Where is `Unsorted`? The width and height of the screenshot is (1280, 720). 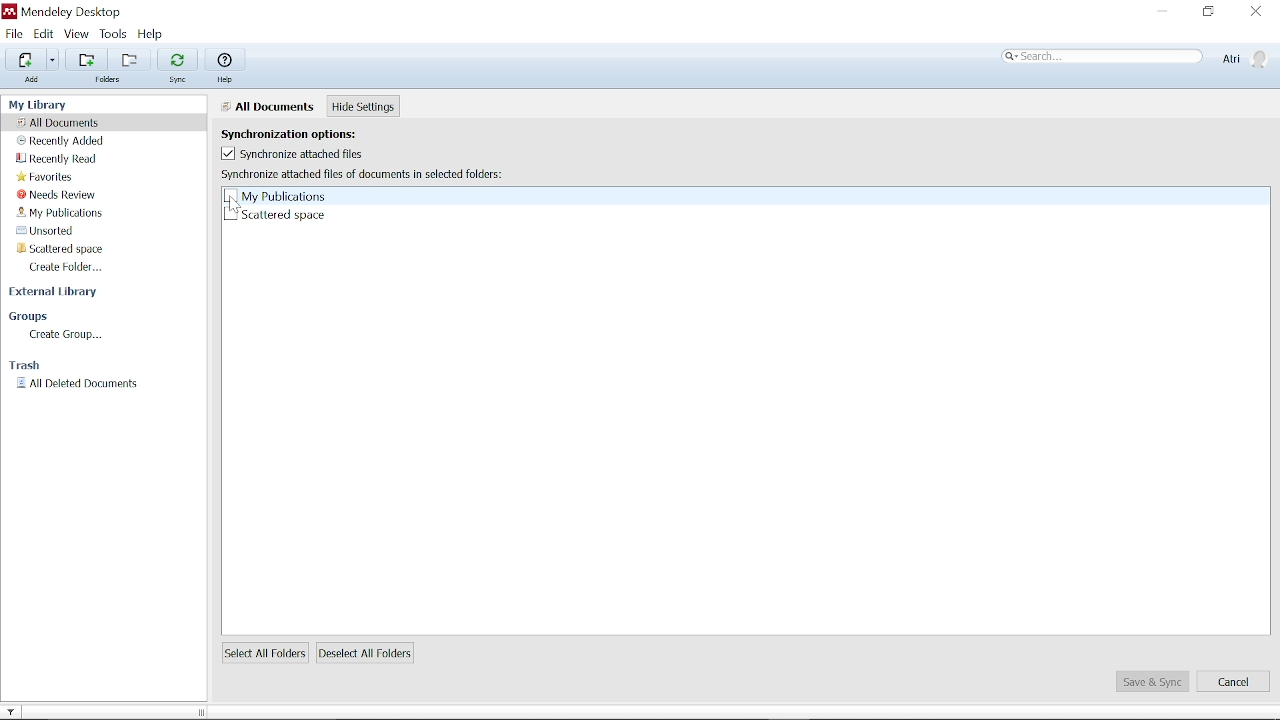 Unsorted is located at coordinates (61, 232).